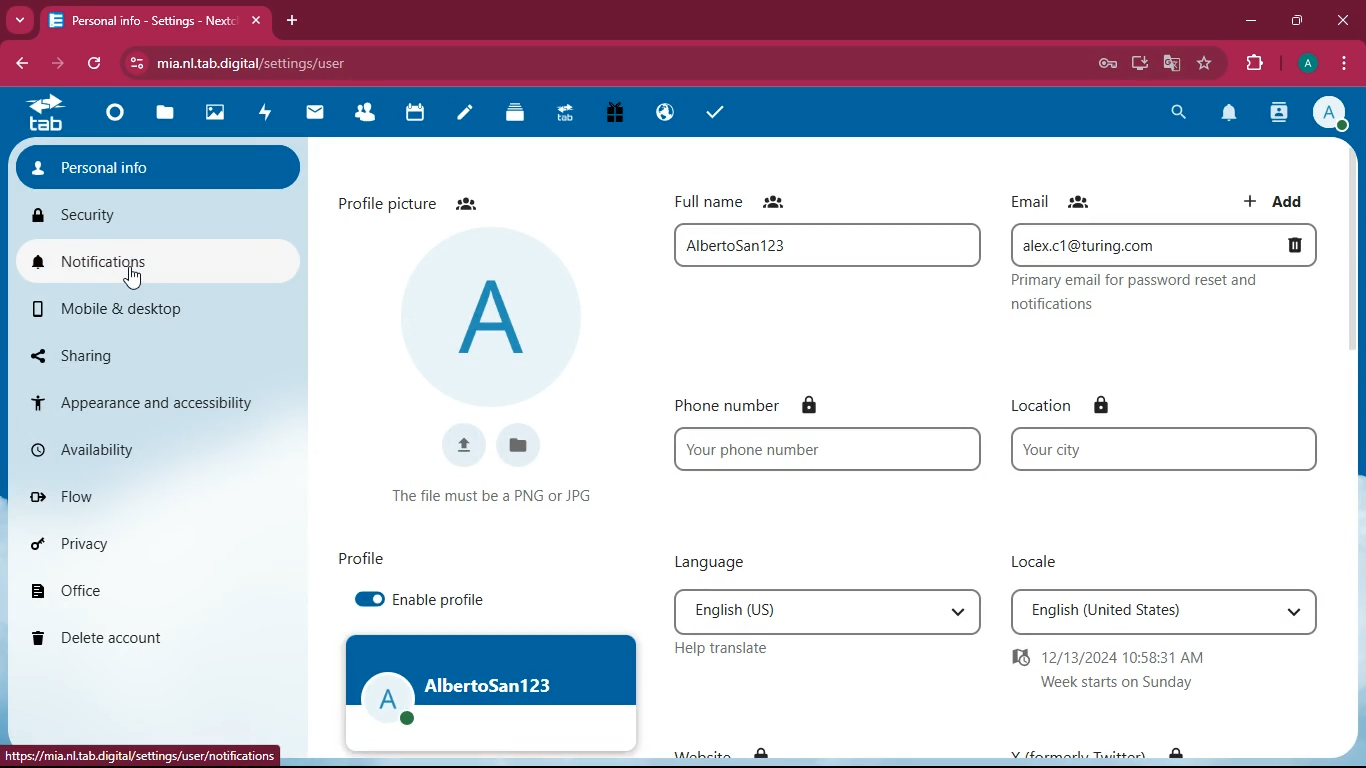  Describe the element at coordinates (464, 116) in the screenshot. I see `notes` at that location.